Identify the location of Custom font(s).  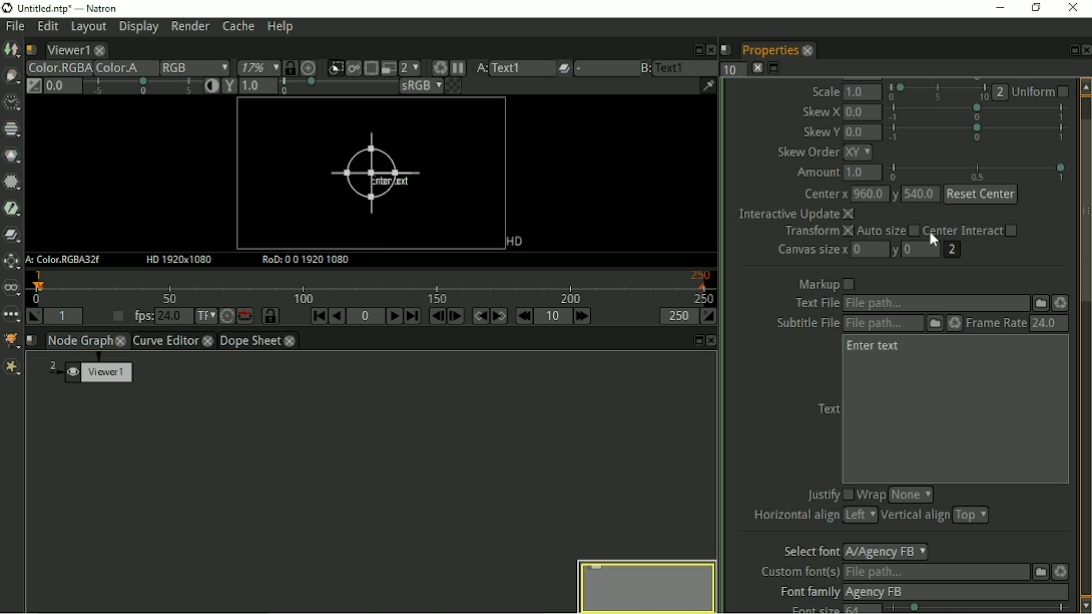
(798, 572).